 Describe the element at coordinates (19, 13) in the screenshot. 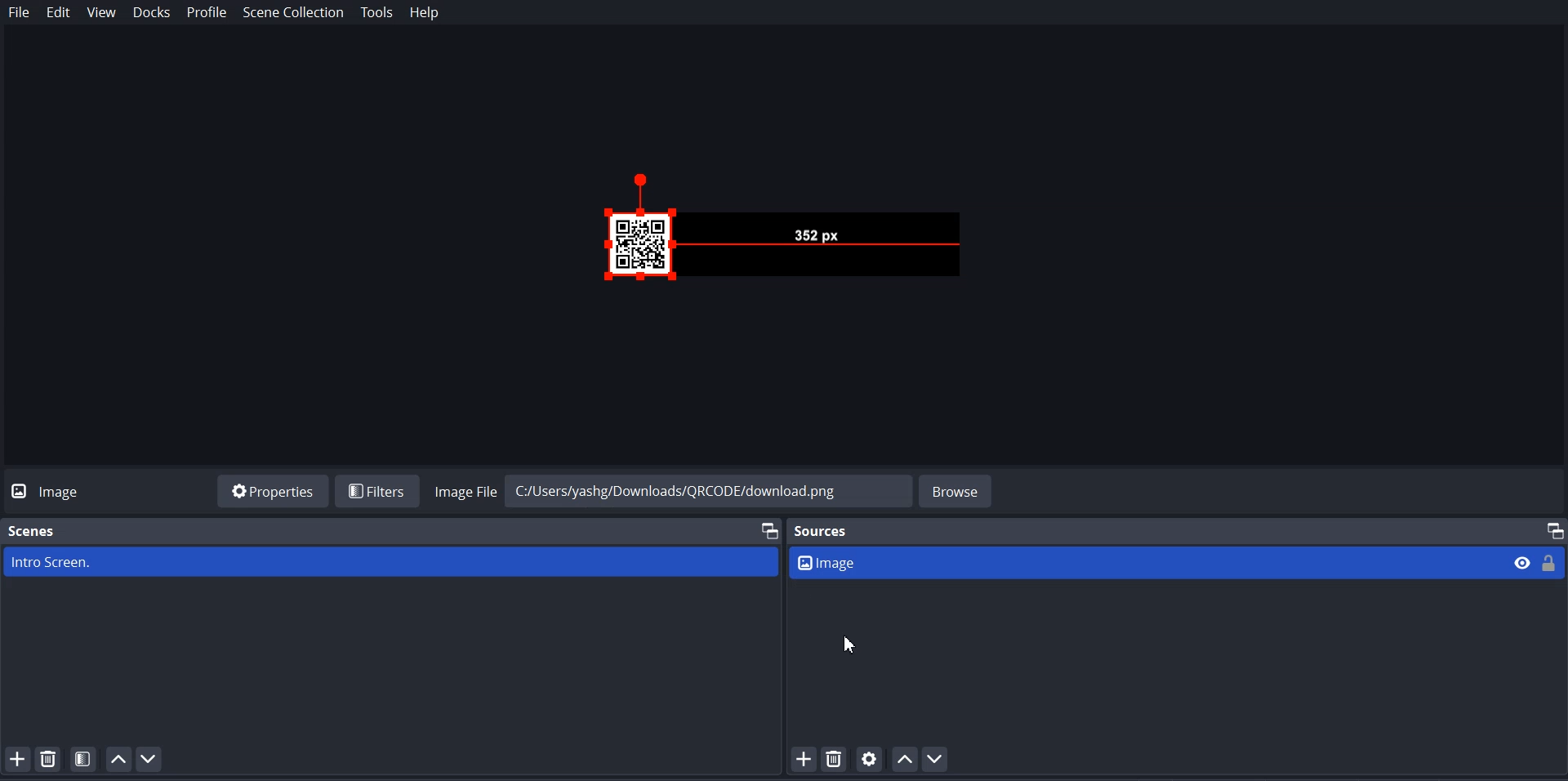

I see `File` at that location.